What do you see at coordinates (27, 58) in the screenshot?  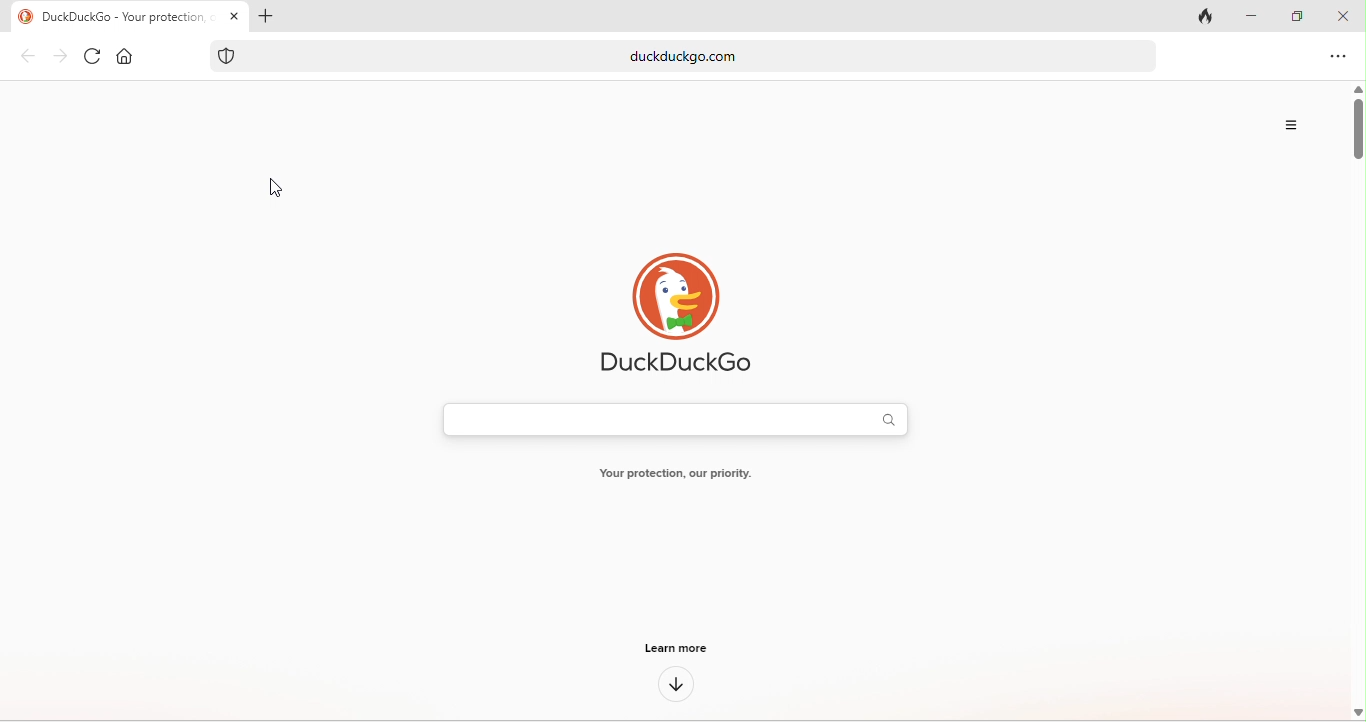 I see `back` at bounding box center [27, 58].